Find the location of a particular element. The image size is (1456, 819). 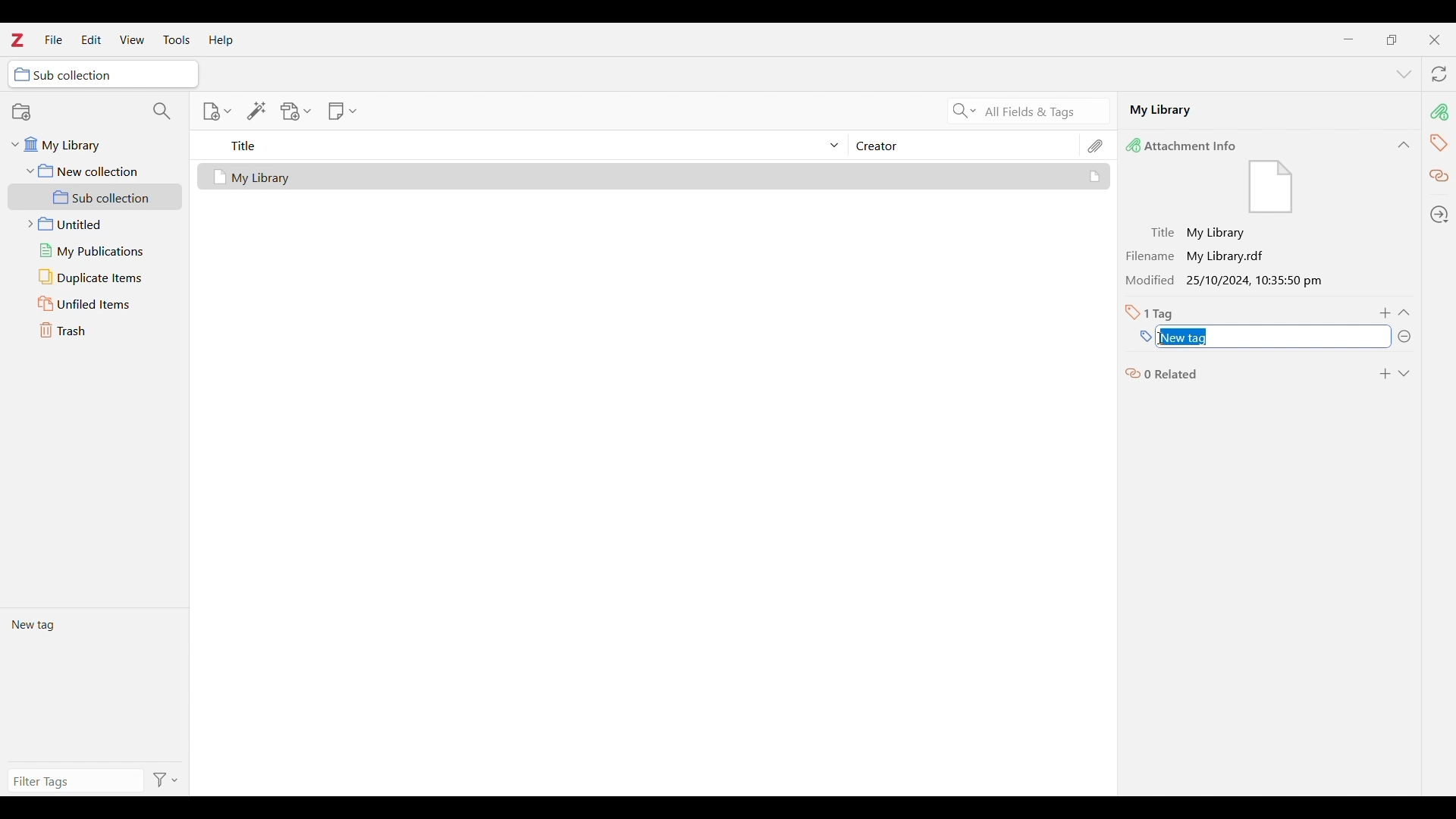

Close interface is located at coordinates (1434, 39).